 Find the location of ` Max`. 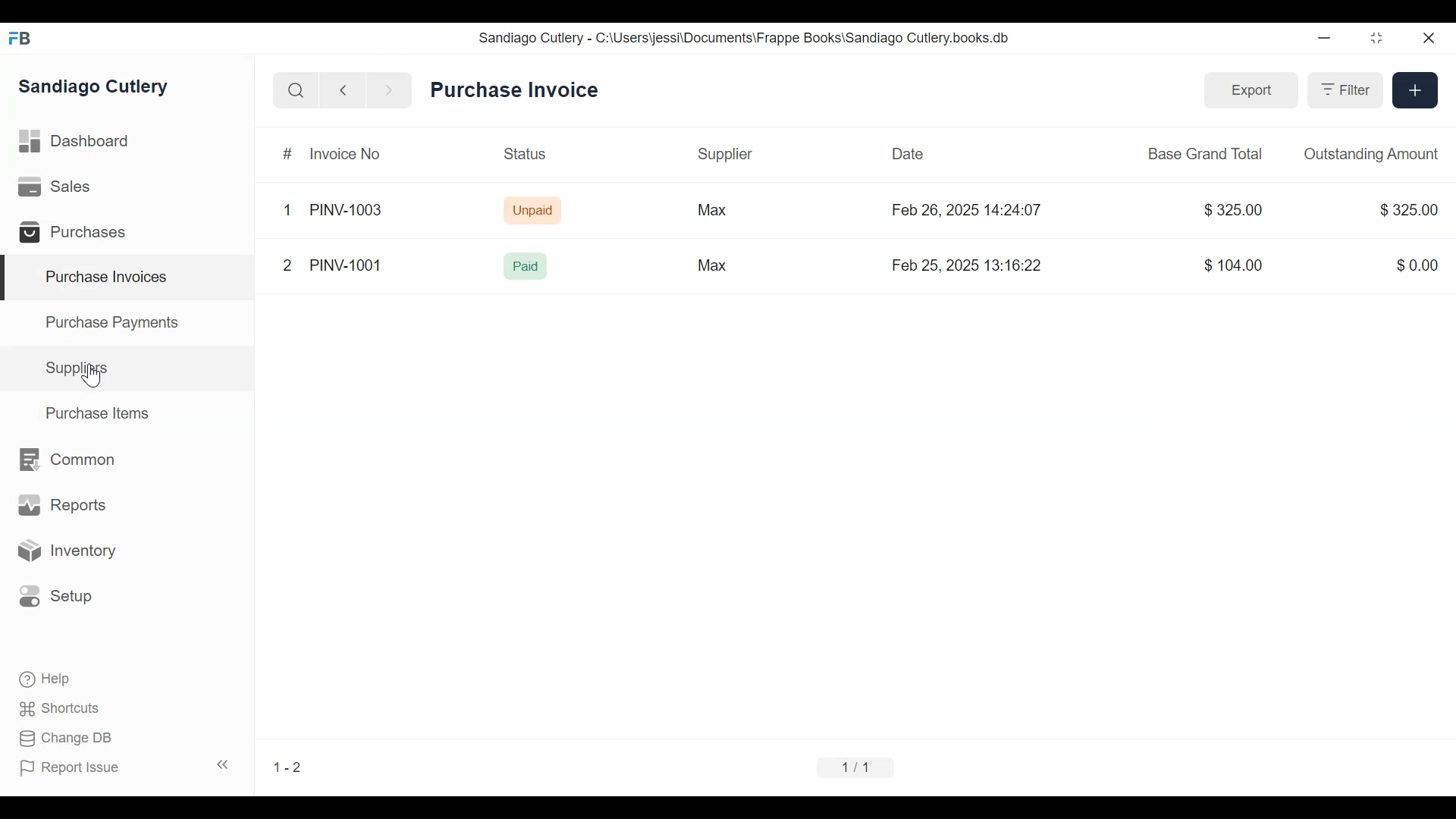

 Max is located at coordinates (718, 210).